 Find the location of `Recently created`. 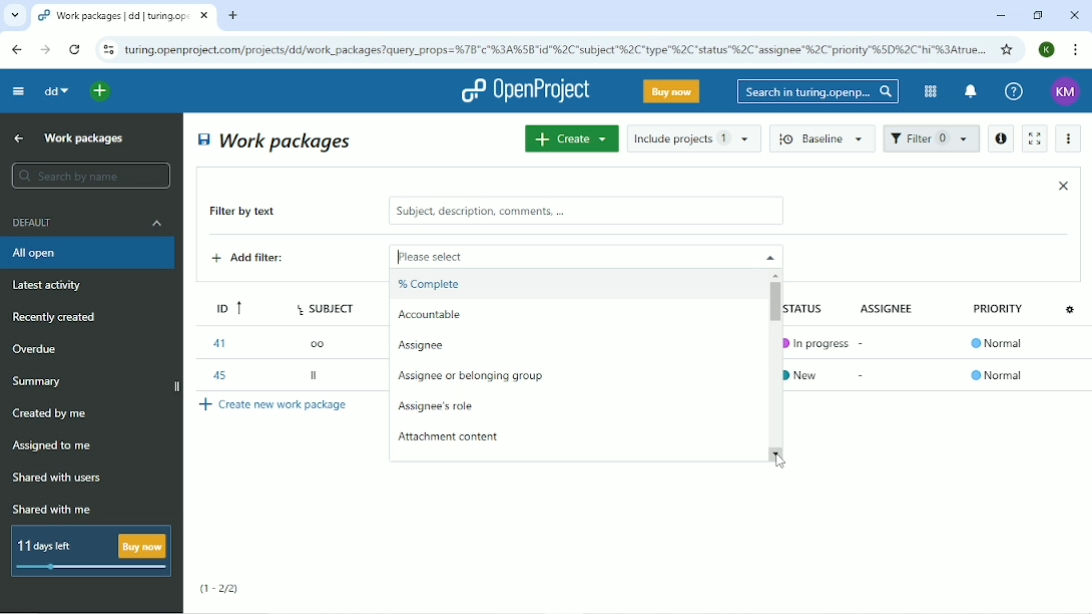

Recently created is located at coordinates (58, 317).